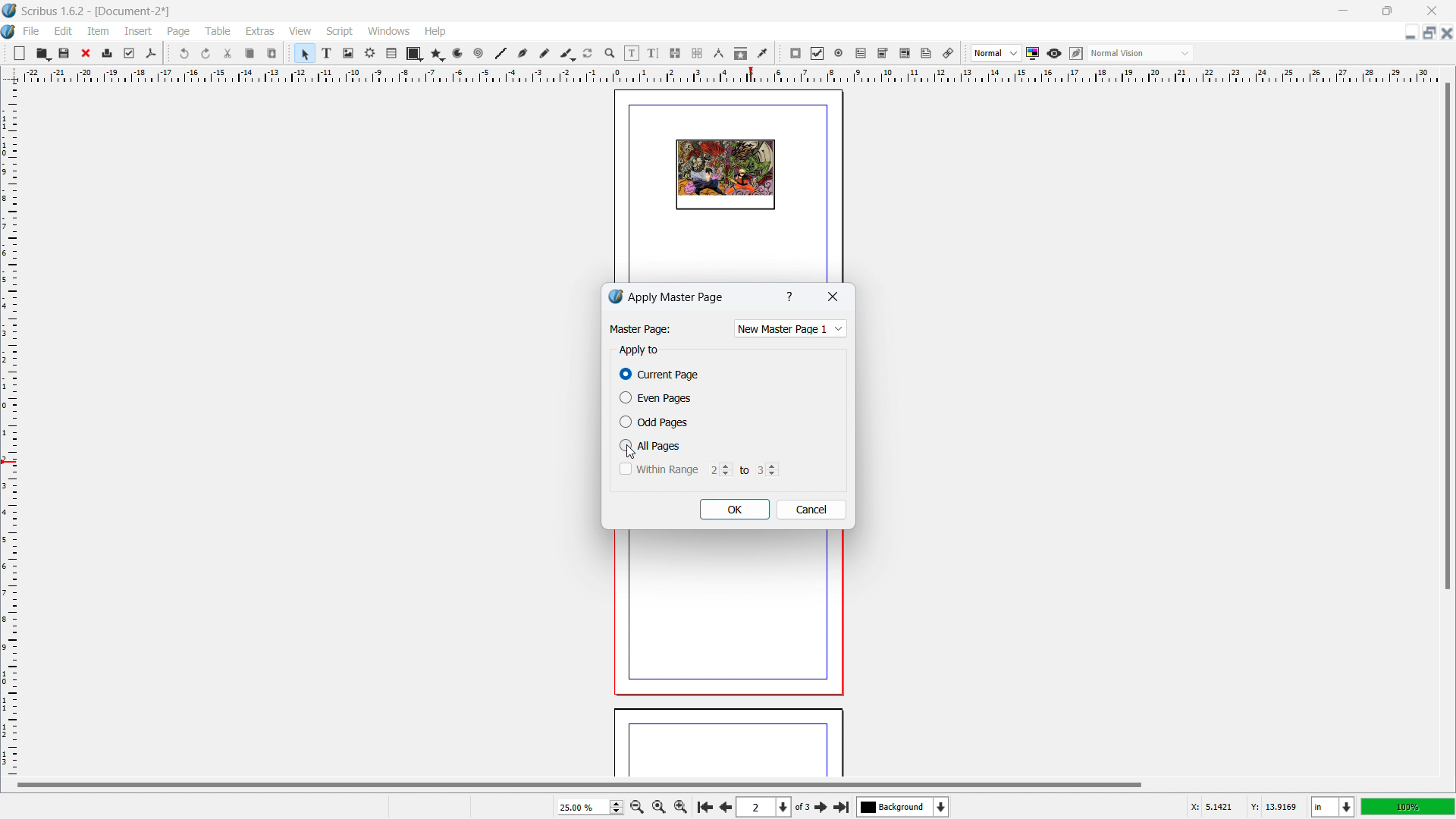 The height and width of the screenshot is (819, 1456). What do you see at coordinates (305, 54) in the screenshot?
I see `select item` at bounding box center [305, 54].